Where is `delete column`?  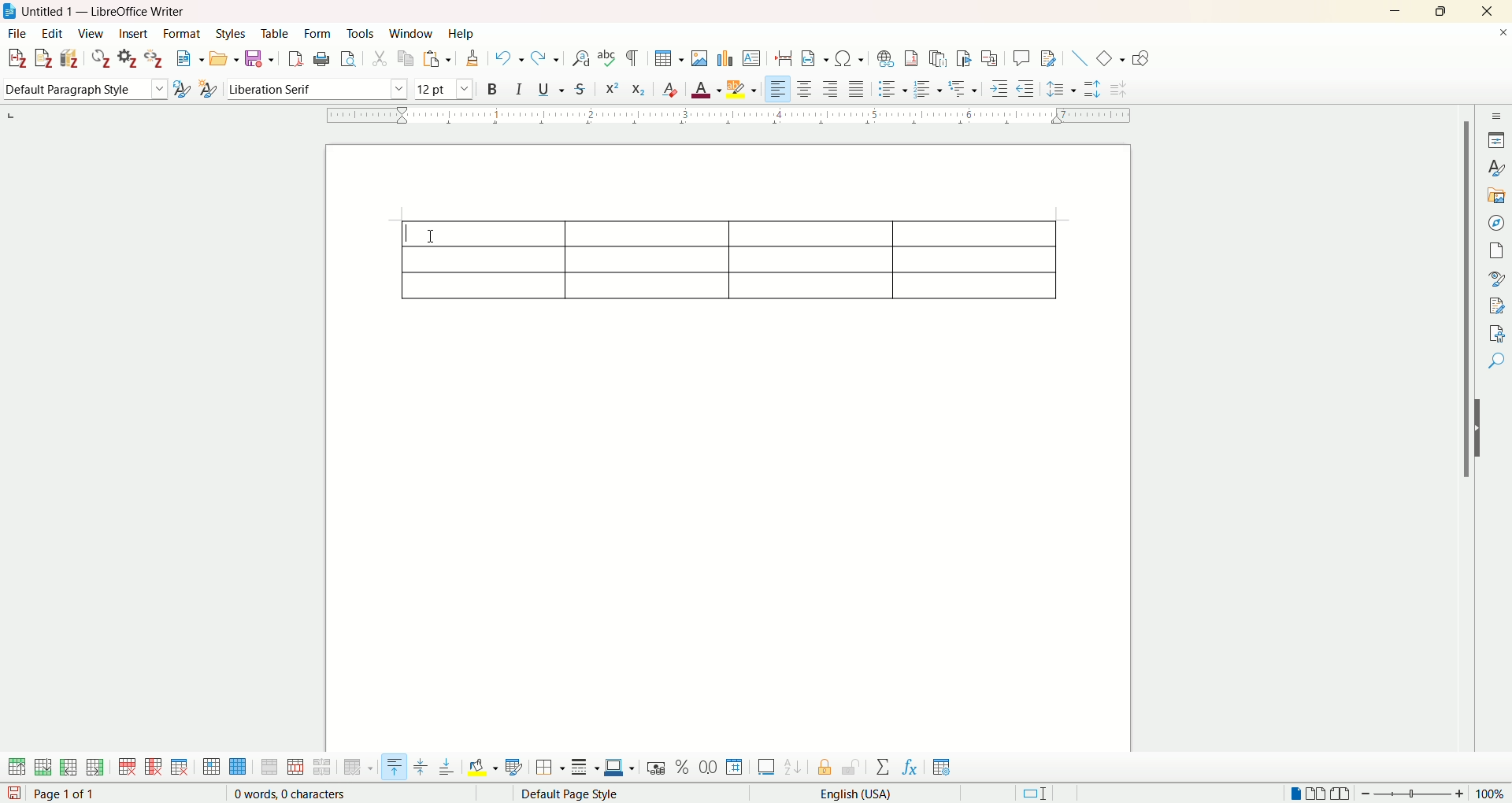
delete column is located at coordinates (155, 768).